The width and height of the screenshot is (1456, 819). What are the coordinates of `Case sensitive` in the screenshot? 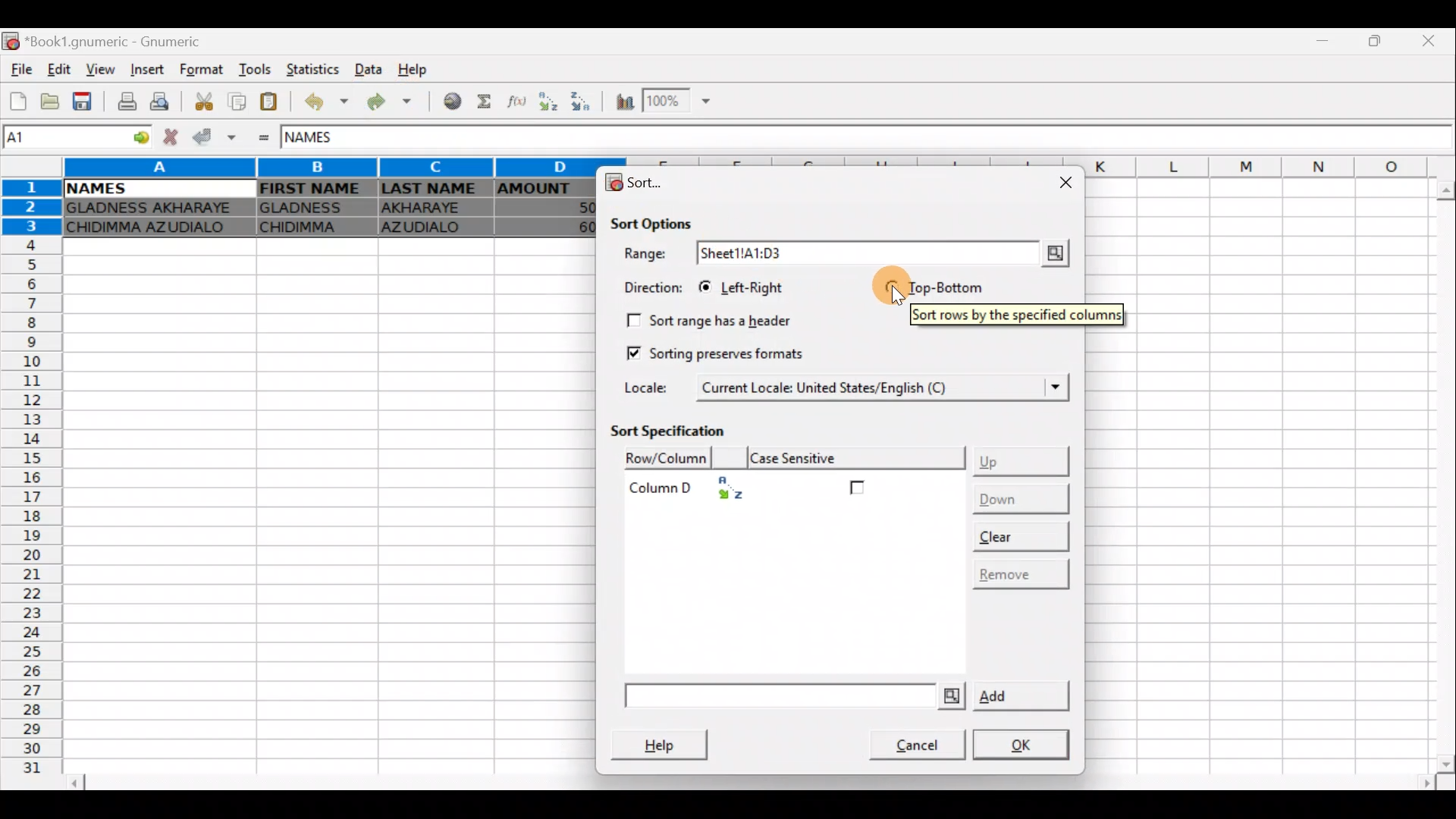 It's located at (857, 457).